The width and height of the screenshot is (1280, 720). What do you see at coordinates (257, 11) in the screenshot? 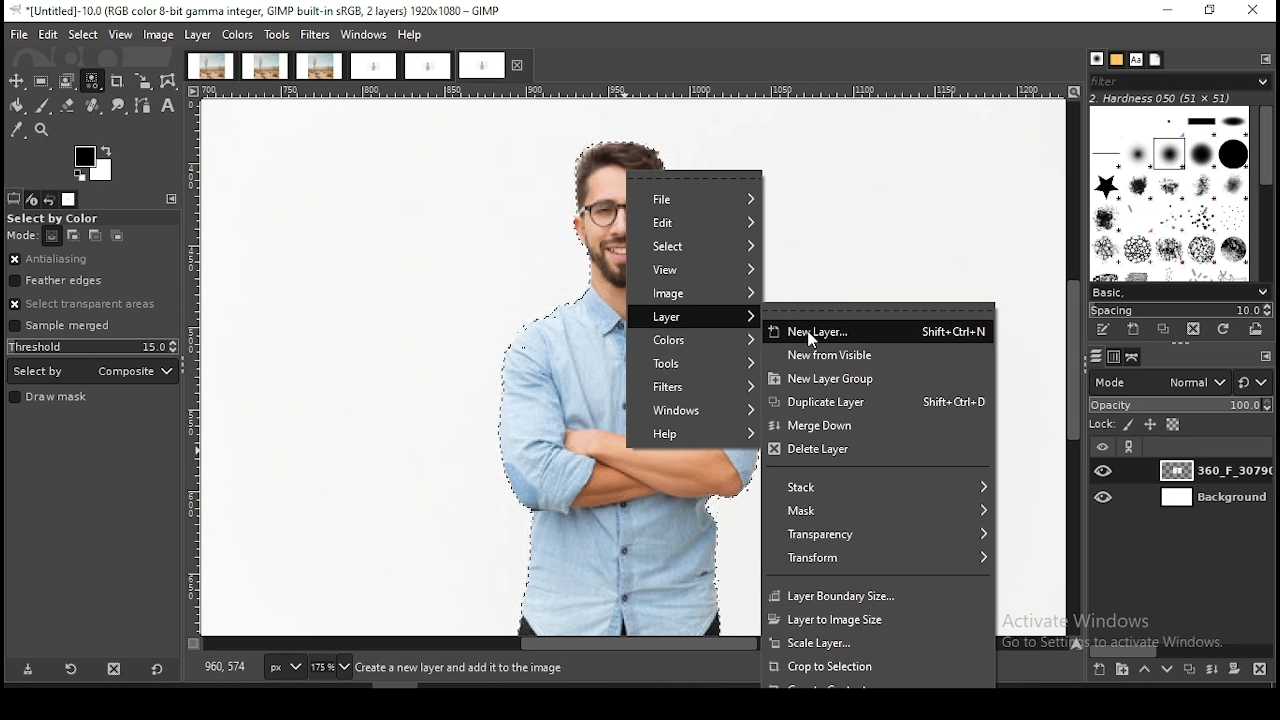
I see `|< *[Untitied]- 10.0 (RGB color 8-bit gamma integer, GIMP built-in SRGE, 2 layers) 1920x1080 - GIMP` at bounding box center [257, 11].